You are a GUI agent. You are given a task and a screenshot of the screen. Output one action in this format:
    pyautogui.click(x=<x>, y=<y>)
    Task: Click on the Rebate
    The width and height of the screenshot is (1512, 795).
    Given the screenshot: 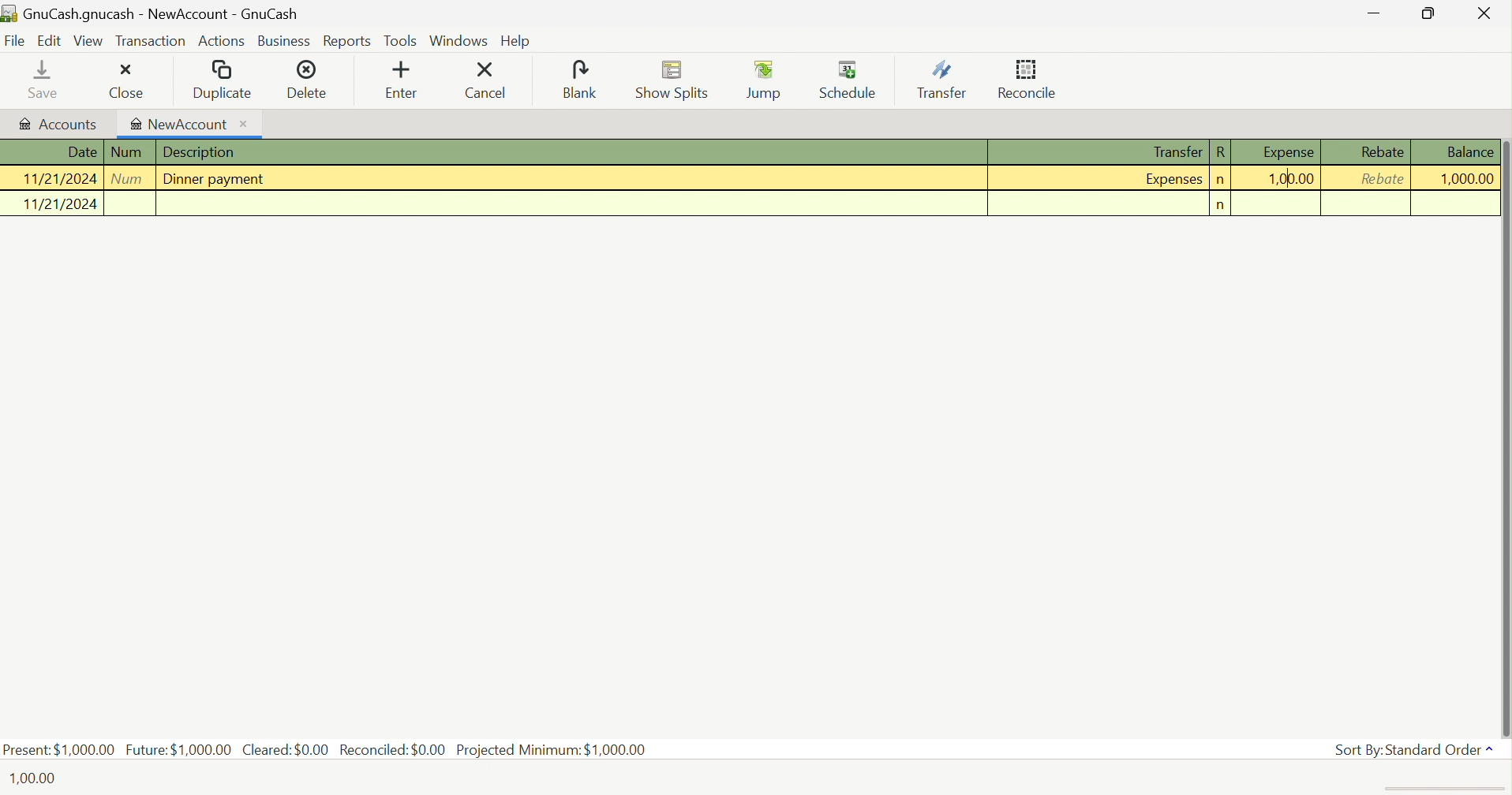 What is the action you would take?
    pyautogui.click(x=1383, y=151)
    